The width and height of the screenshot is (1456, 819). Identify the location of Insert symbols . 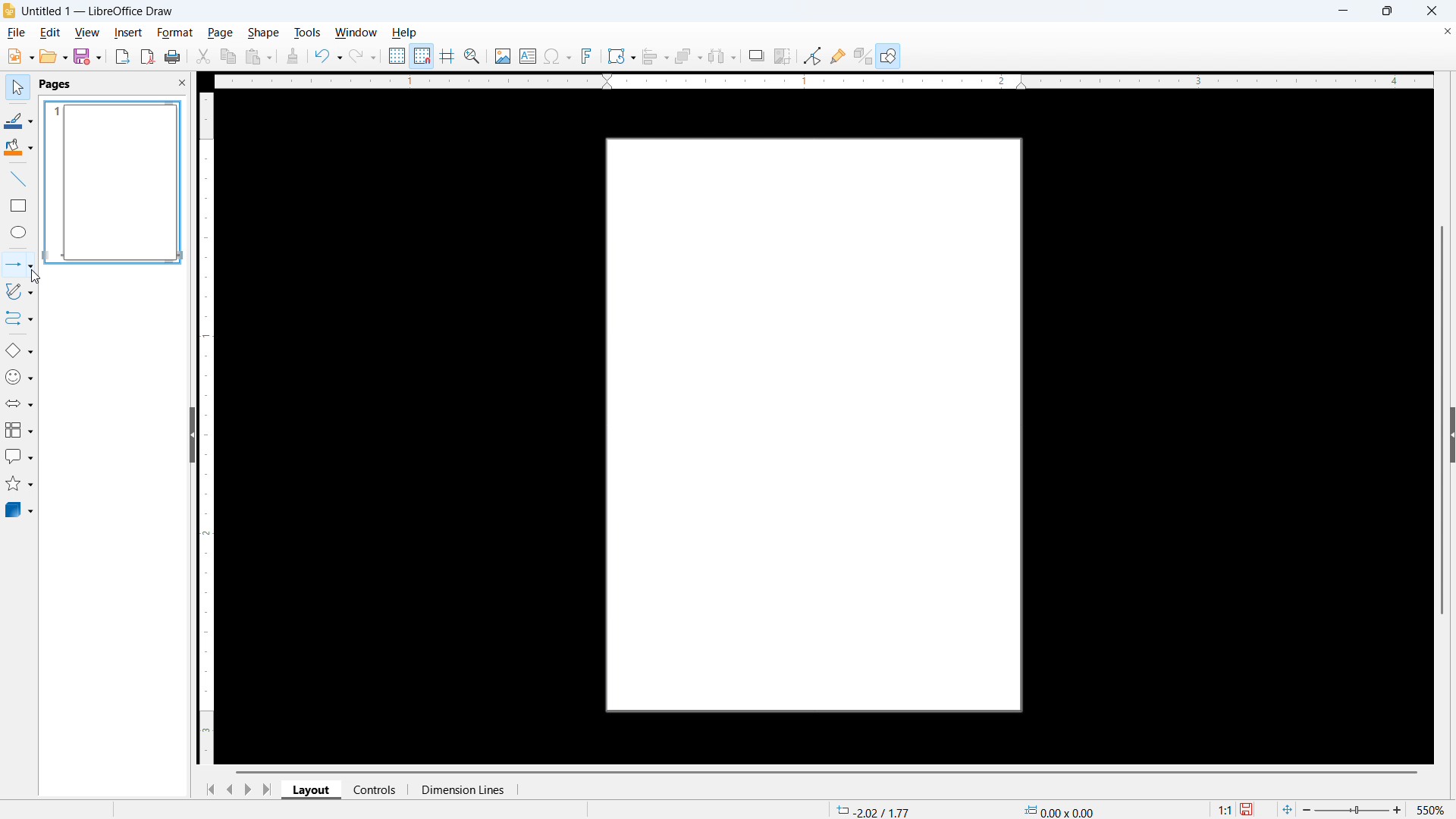
(558, 56).